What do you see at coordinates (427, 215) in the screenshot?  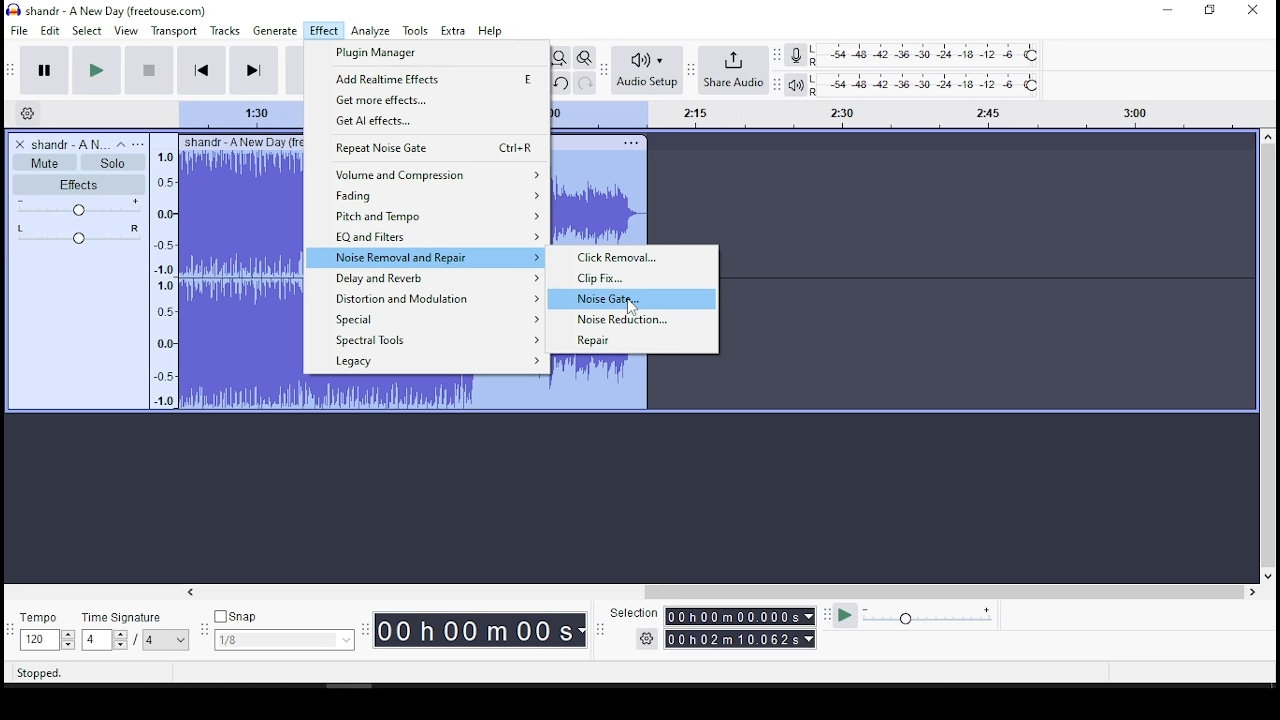 I see `pitch and tempo` at bounding box center [427, 215].